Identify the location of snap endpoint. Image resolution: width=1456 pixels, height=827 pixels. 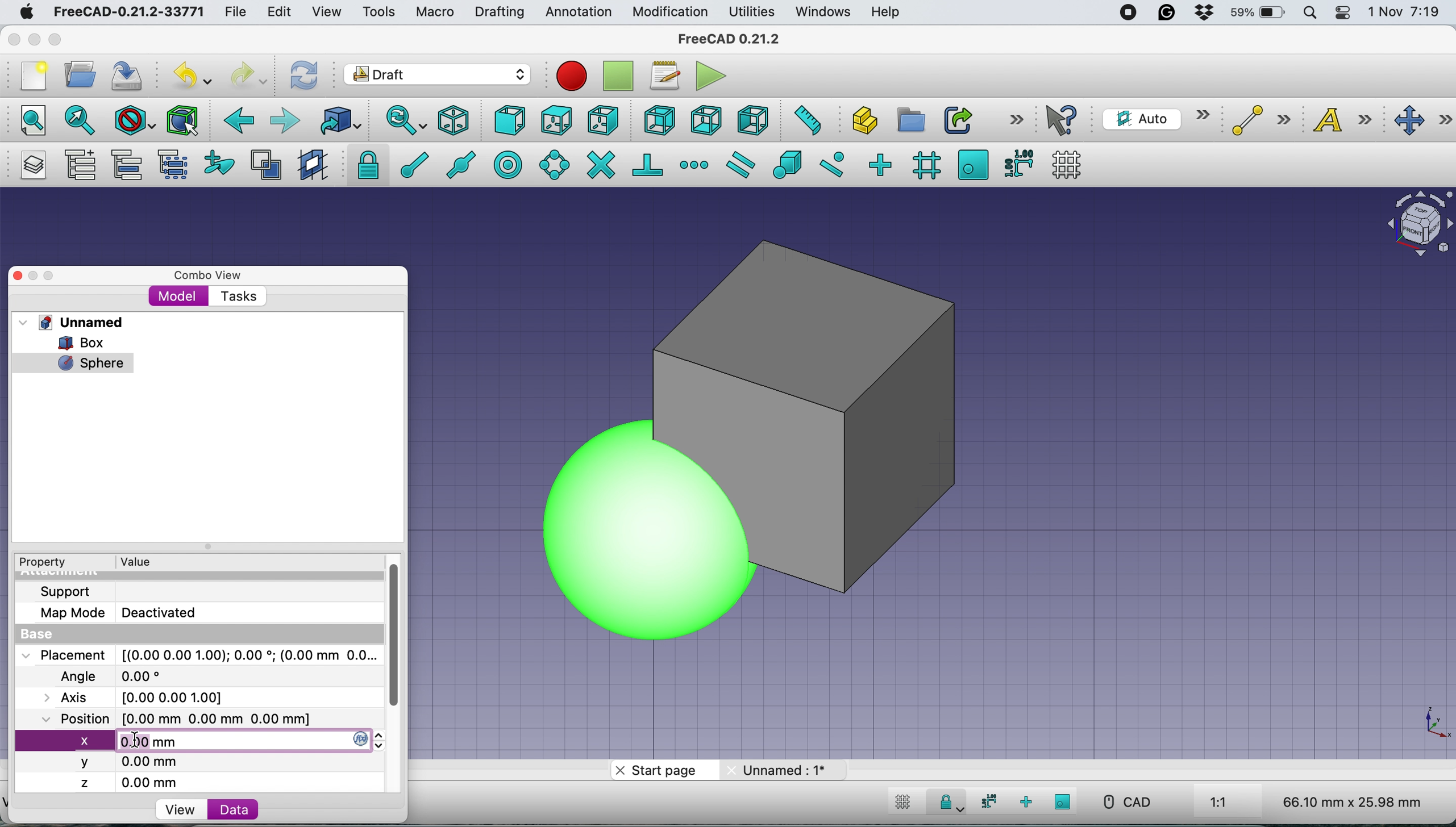
(408, 169).